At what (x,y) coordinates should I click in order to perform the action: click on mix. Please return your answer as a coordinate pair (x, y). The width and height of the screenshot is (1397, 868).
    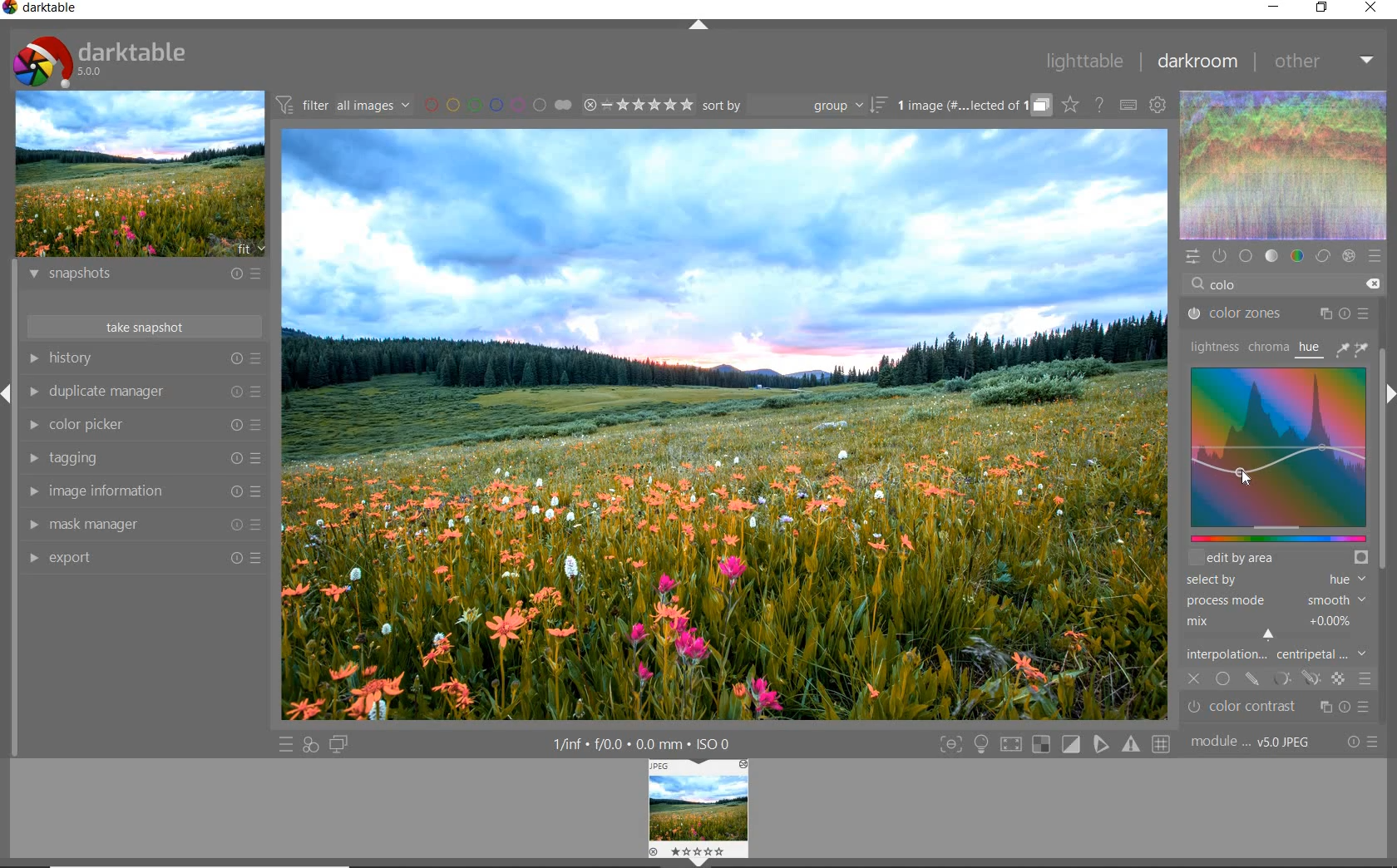
    Looking at the image, I should click on (1279, 628).